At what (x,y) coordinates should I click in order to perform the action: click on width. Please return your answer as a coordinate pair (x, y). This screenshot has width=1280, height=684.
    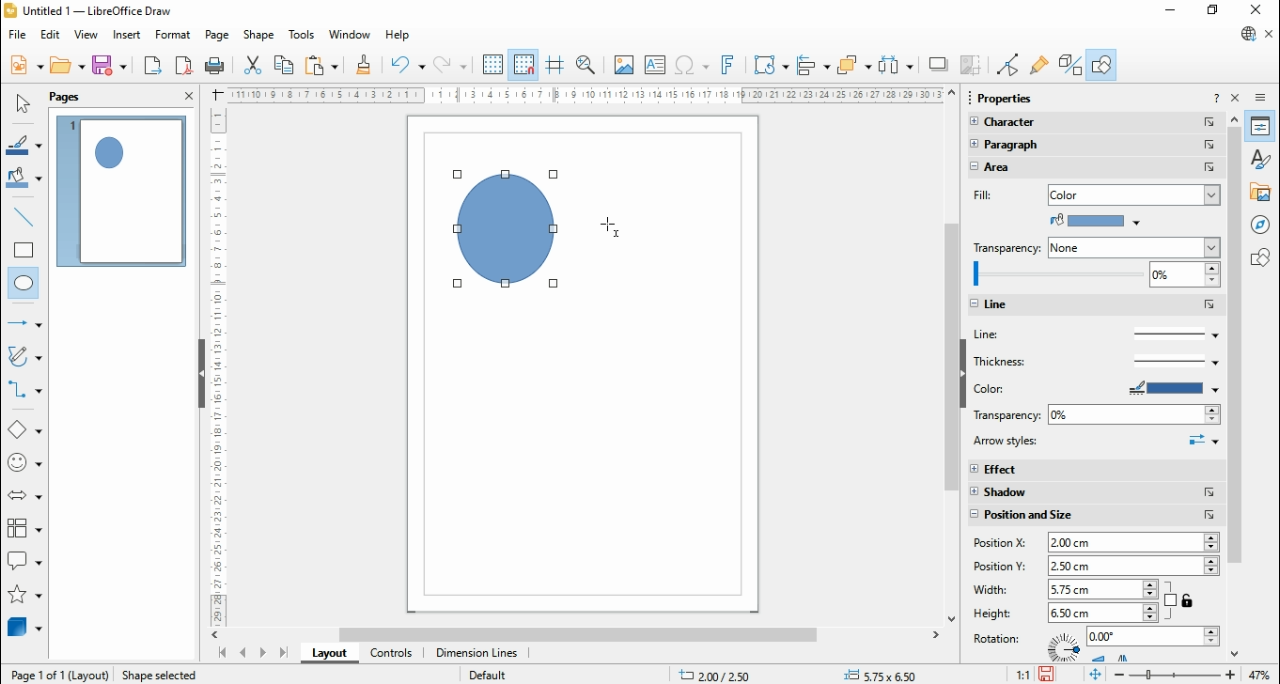
    Looking at the image, I should click on (996, 589).